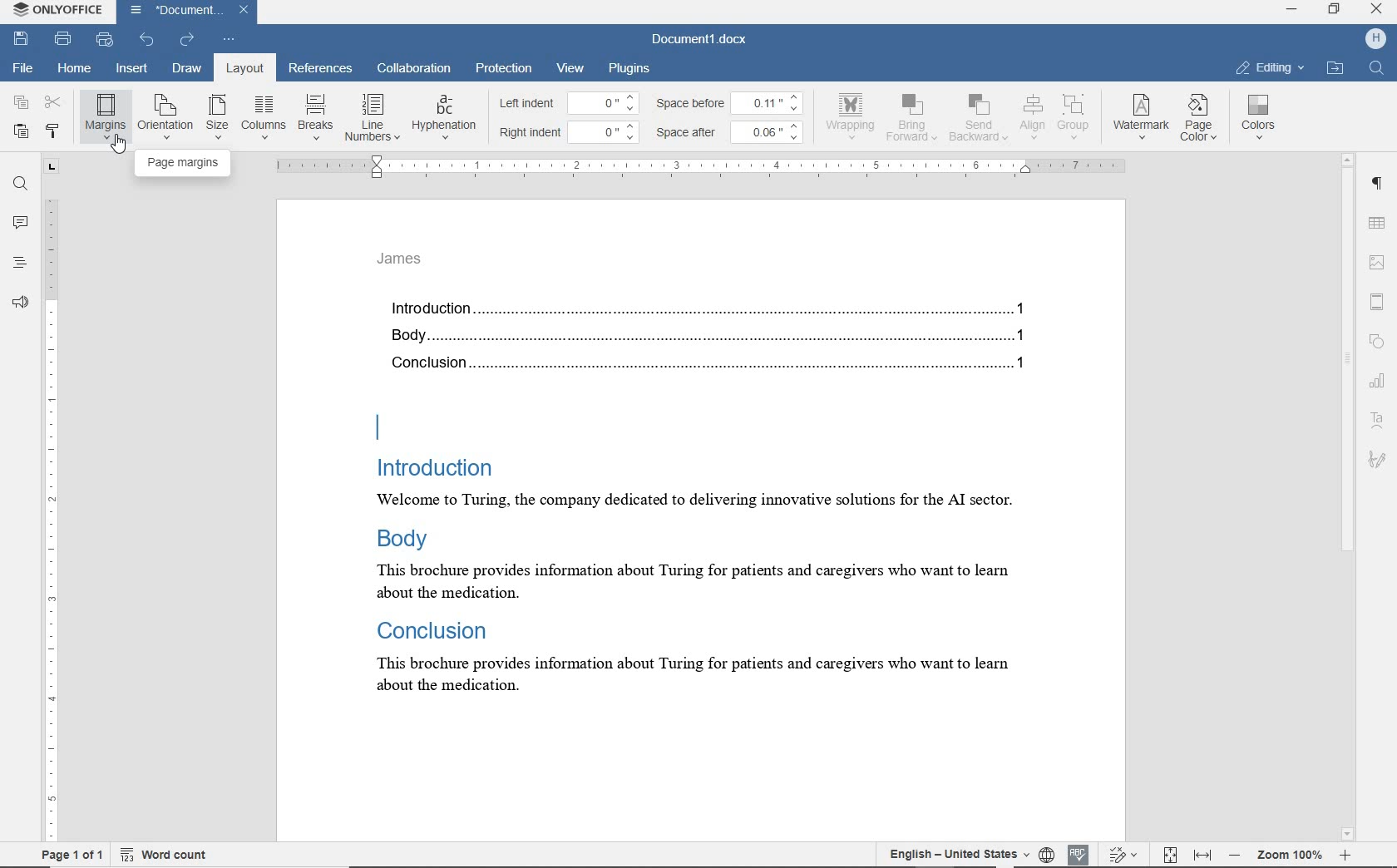 The width and height of the screenshot is (1397, 868). Describe the element at coordinates (21, 37) in the screenshot. I see `save` at that location.